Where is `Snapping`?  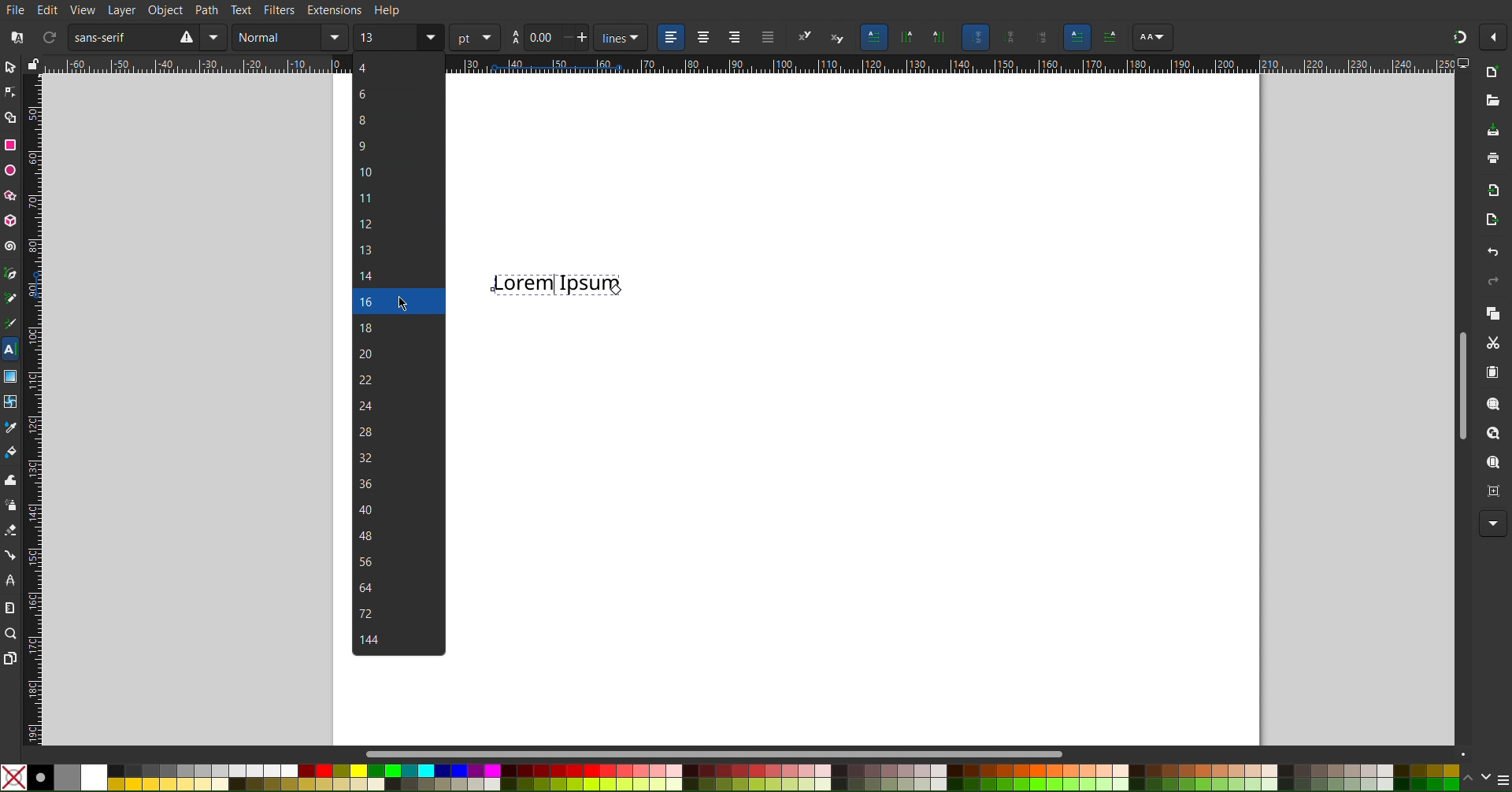 Snapping is located at coordinates (1459, 37).